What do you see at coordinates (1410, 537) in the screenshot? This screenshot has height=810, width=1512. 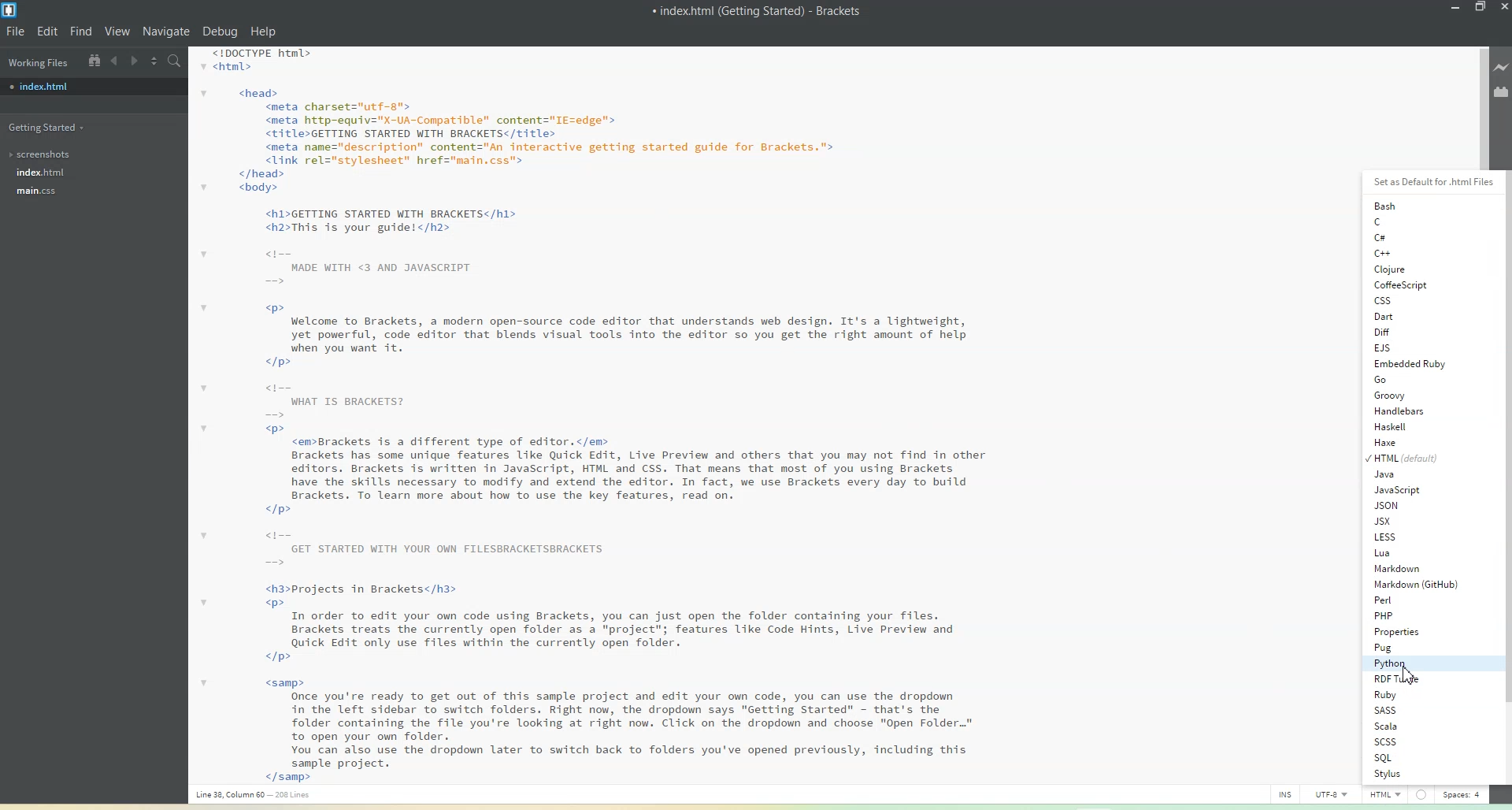 I see `LESS` at bounding box center [1410, 537].